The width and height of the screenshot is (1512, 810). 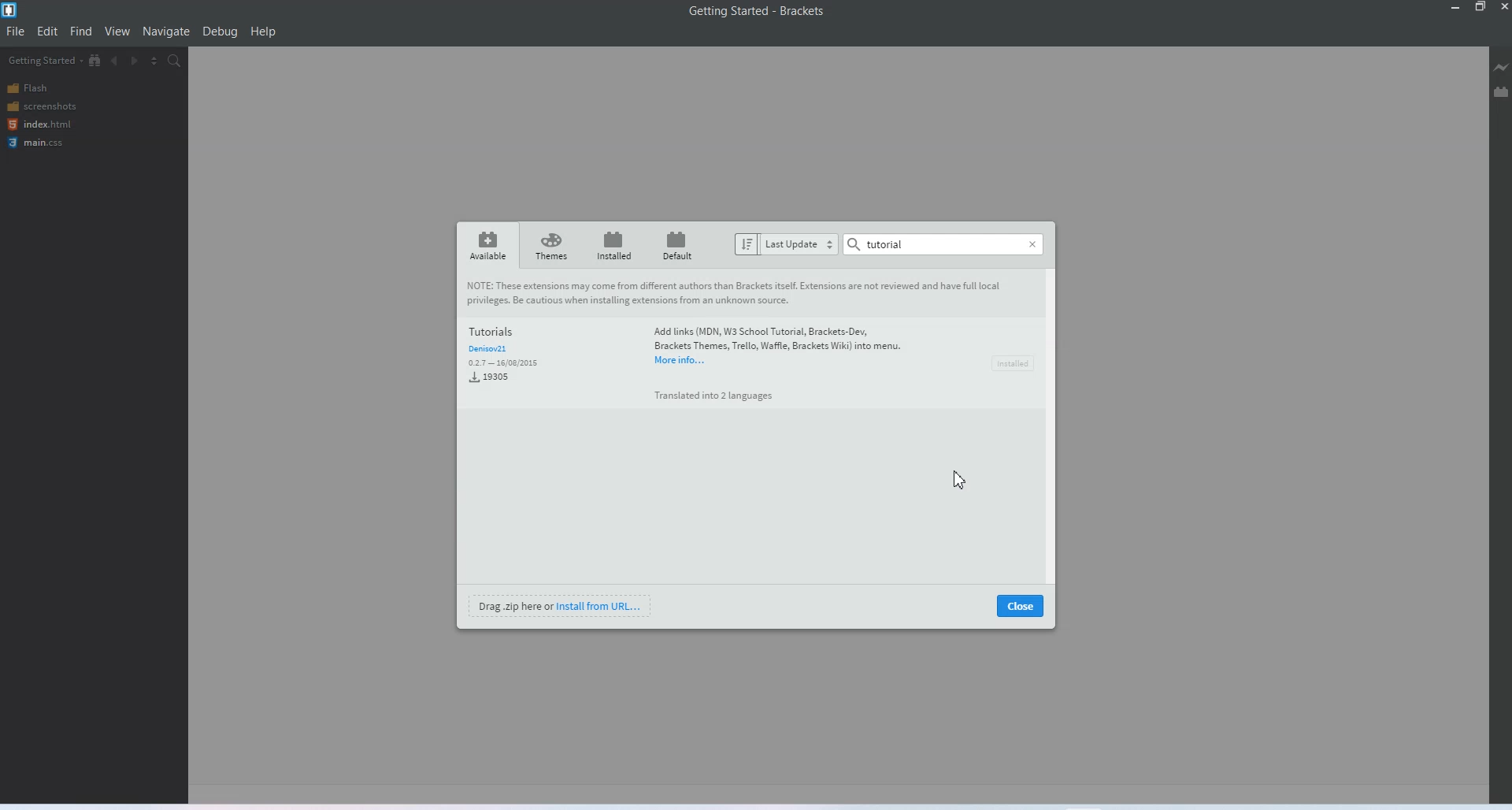 I want to click on Split editor vertically and horizontally, so click(x=155, y=61).